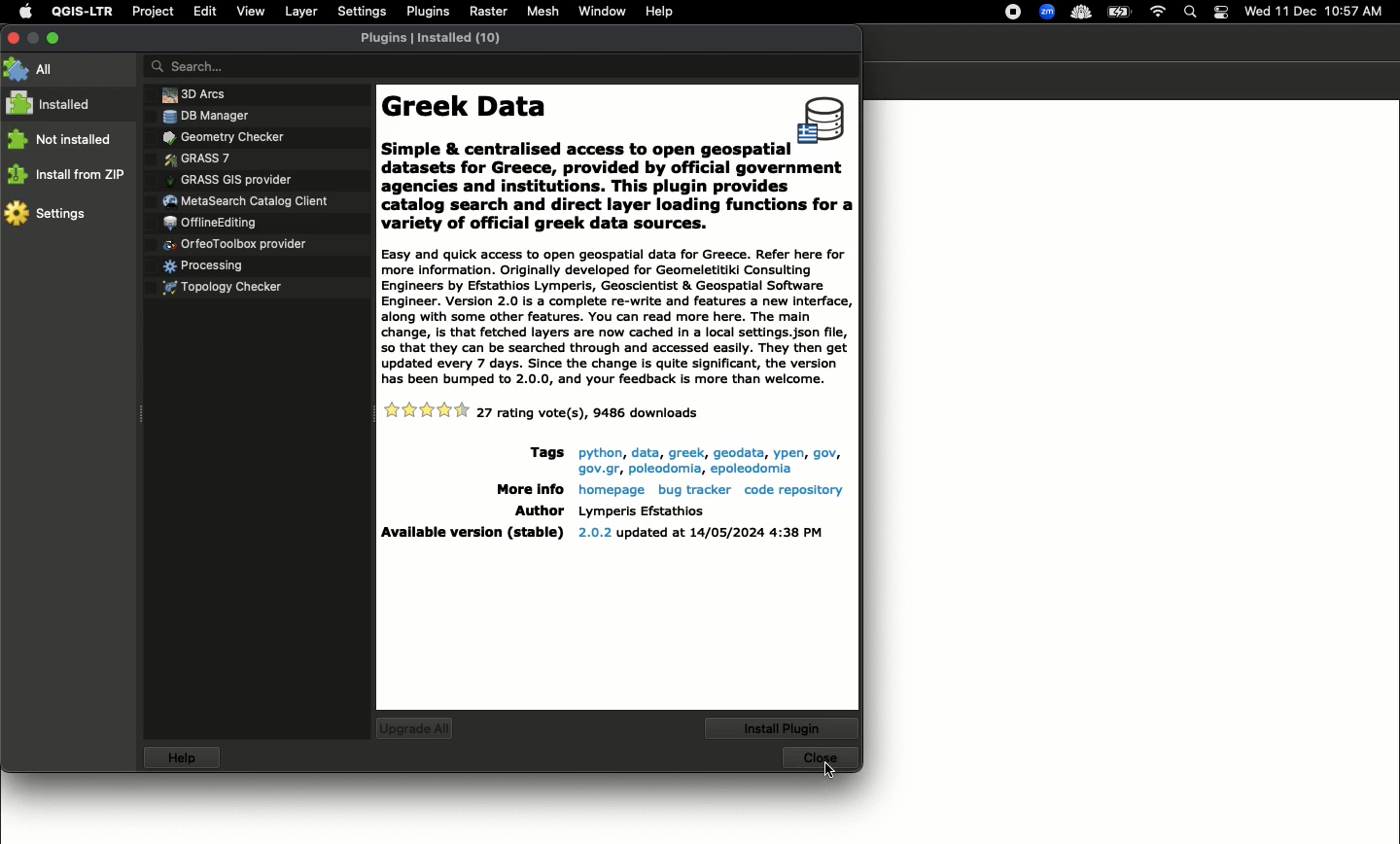 This screenshot has height=844, width=1400. Describe the element at coordinates (786, 453) in the screenshot. I see `yper` at that location.